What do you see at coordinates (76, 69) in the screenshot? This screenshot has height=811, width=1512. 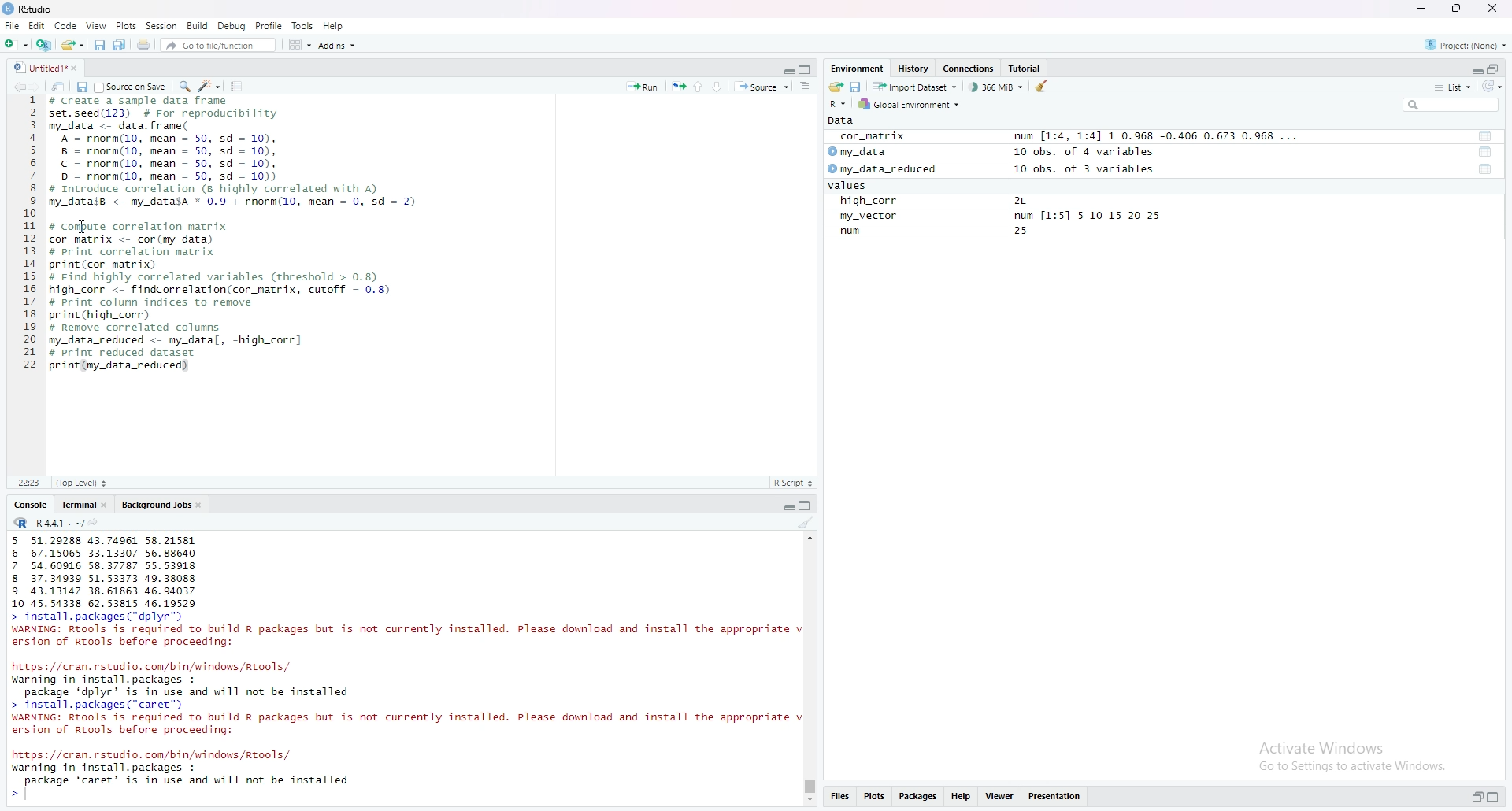 I see `close` at bounding box center [76, 69].